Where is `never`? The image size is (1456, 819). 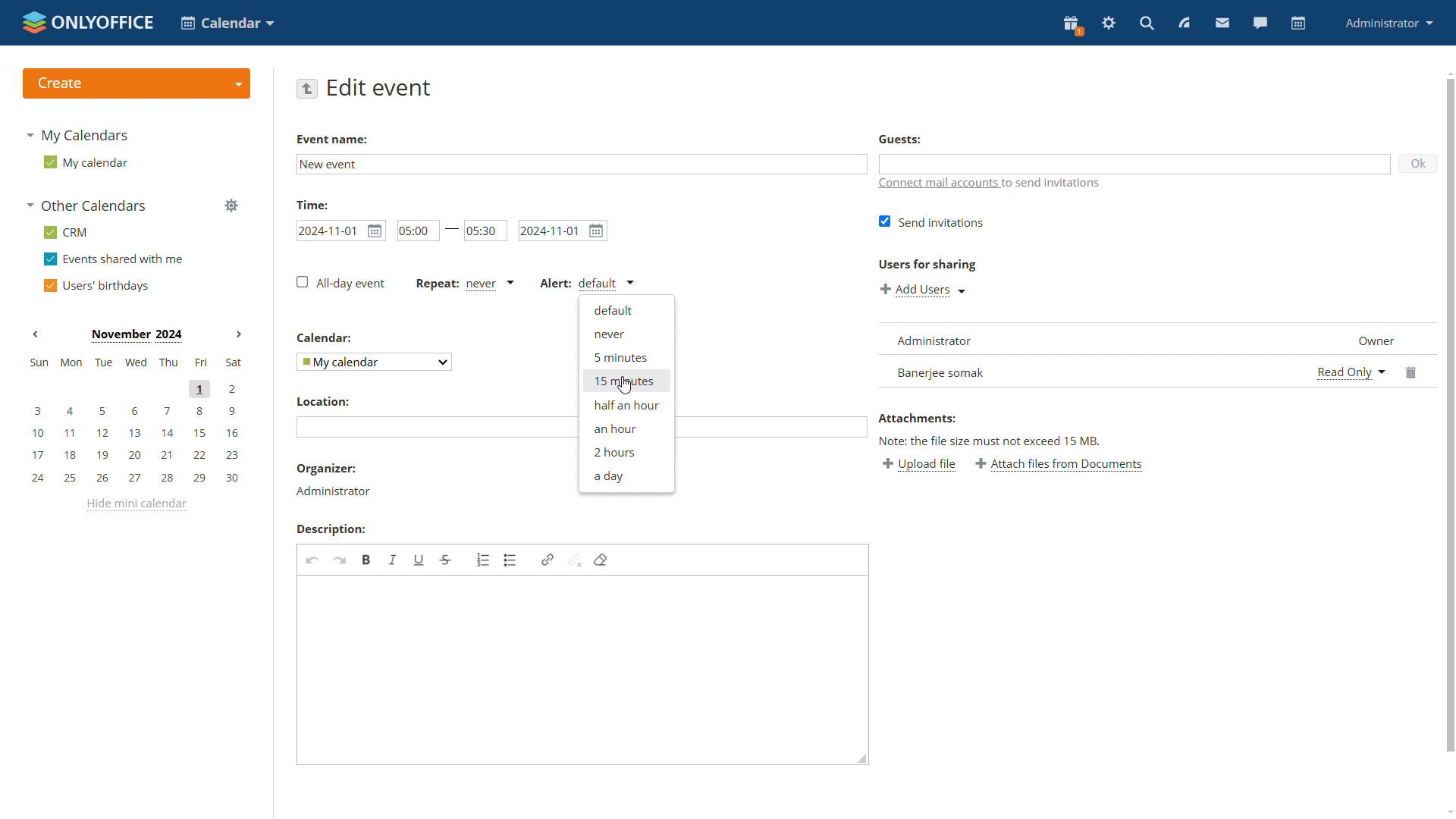
never is located at coordinates (627, 334).